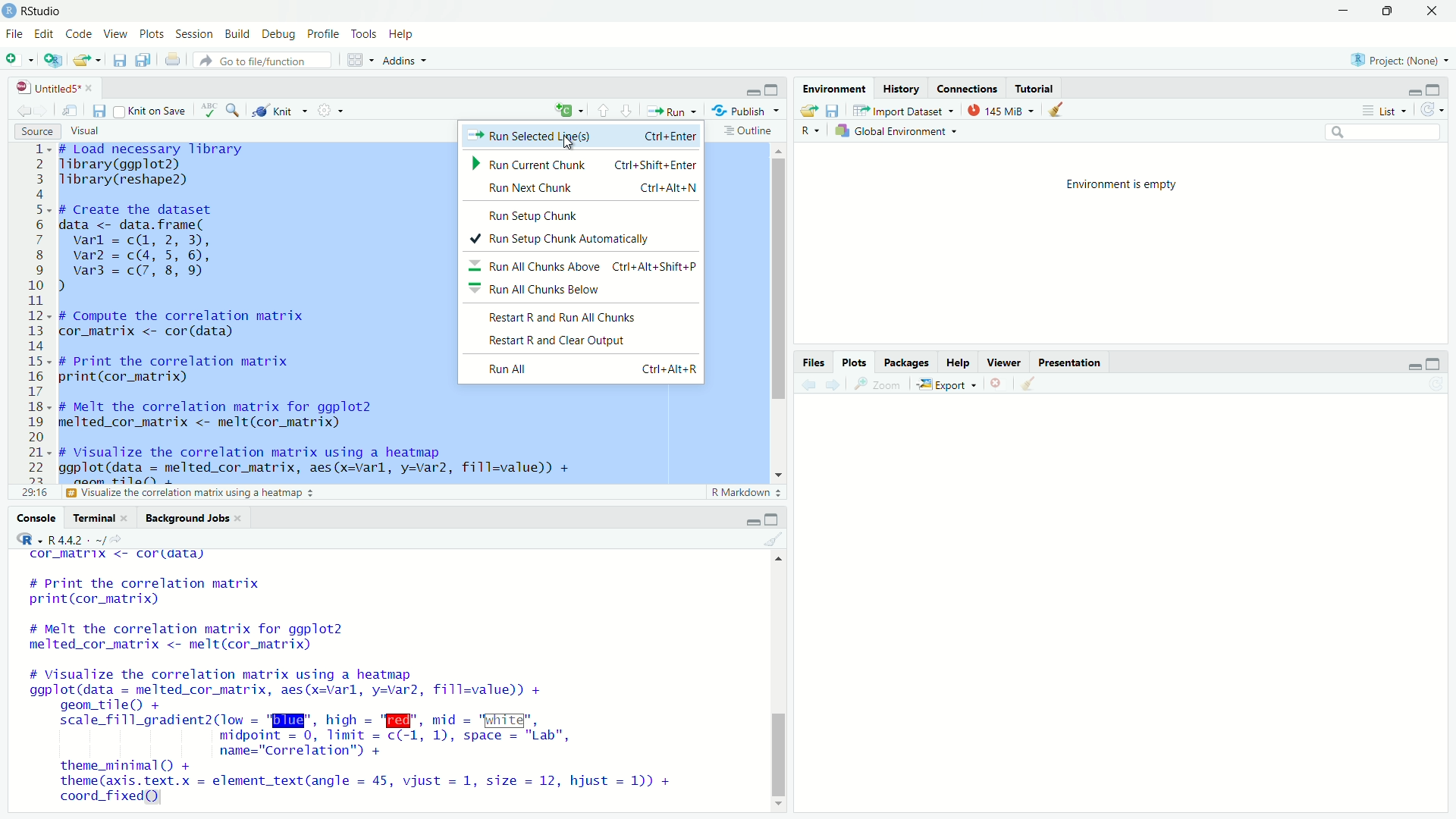 Image resolution: width=1456 pixels, height=819 pixels. I want to click on debug, so click(280, 33).